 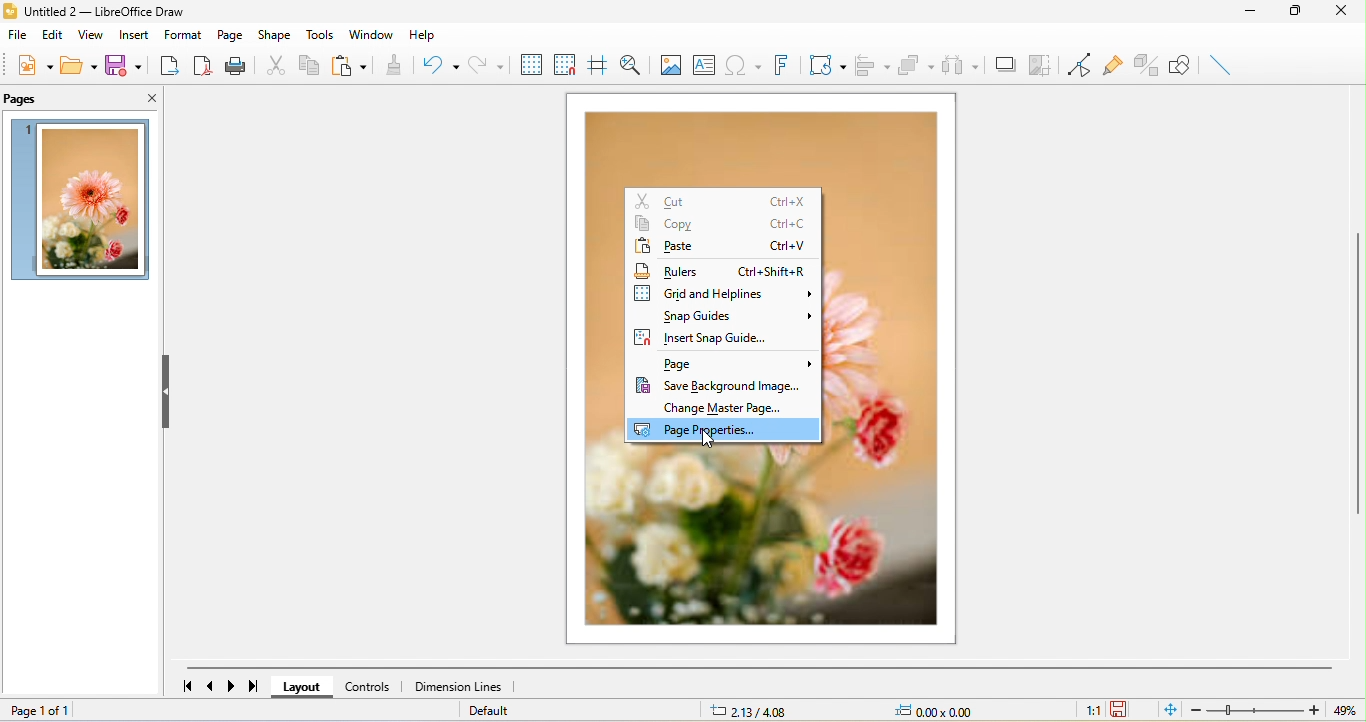 What do you see at coordinates (827, 64) in the screenshot?
I see `transformation` at bounding box center [827, 64].